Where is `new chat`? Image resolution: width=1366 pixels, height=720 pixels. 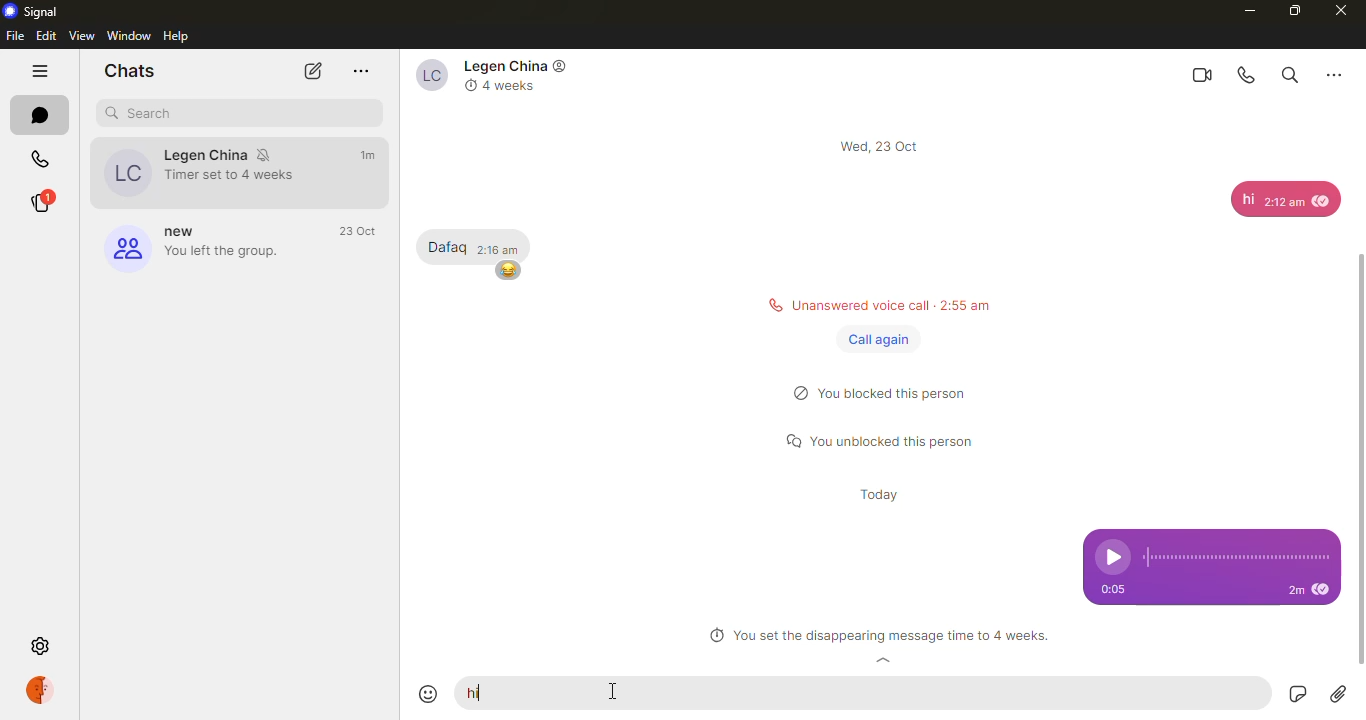 new chat is located at coordinates (310, 71).